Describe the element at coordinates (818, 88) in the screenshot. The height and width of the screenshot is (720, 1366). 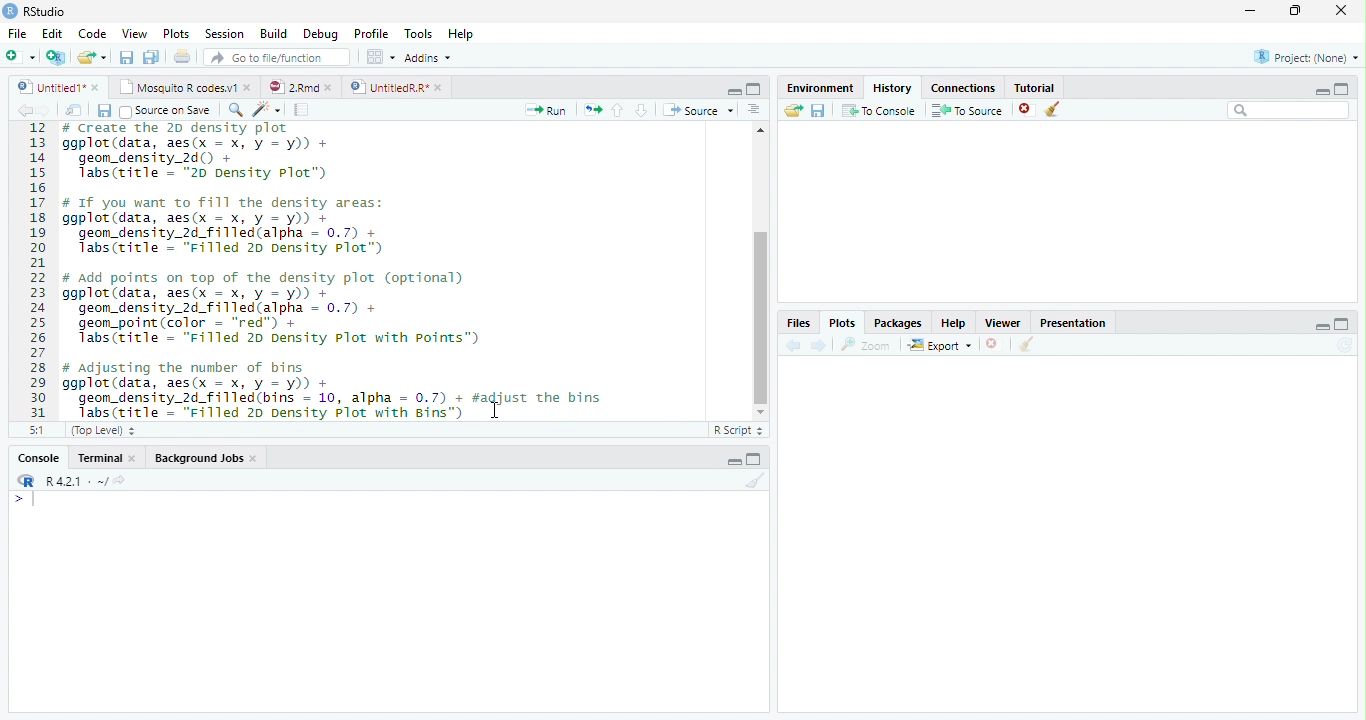
I see `Environment` at that location.